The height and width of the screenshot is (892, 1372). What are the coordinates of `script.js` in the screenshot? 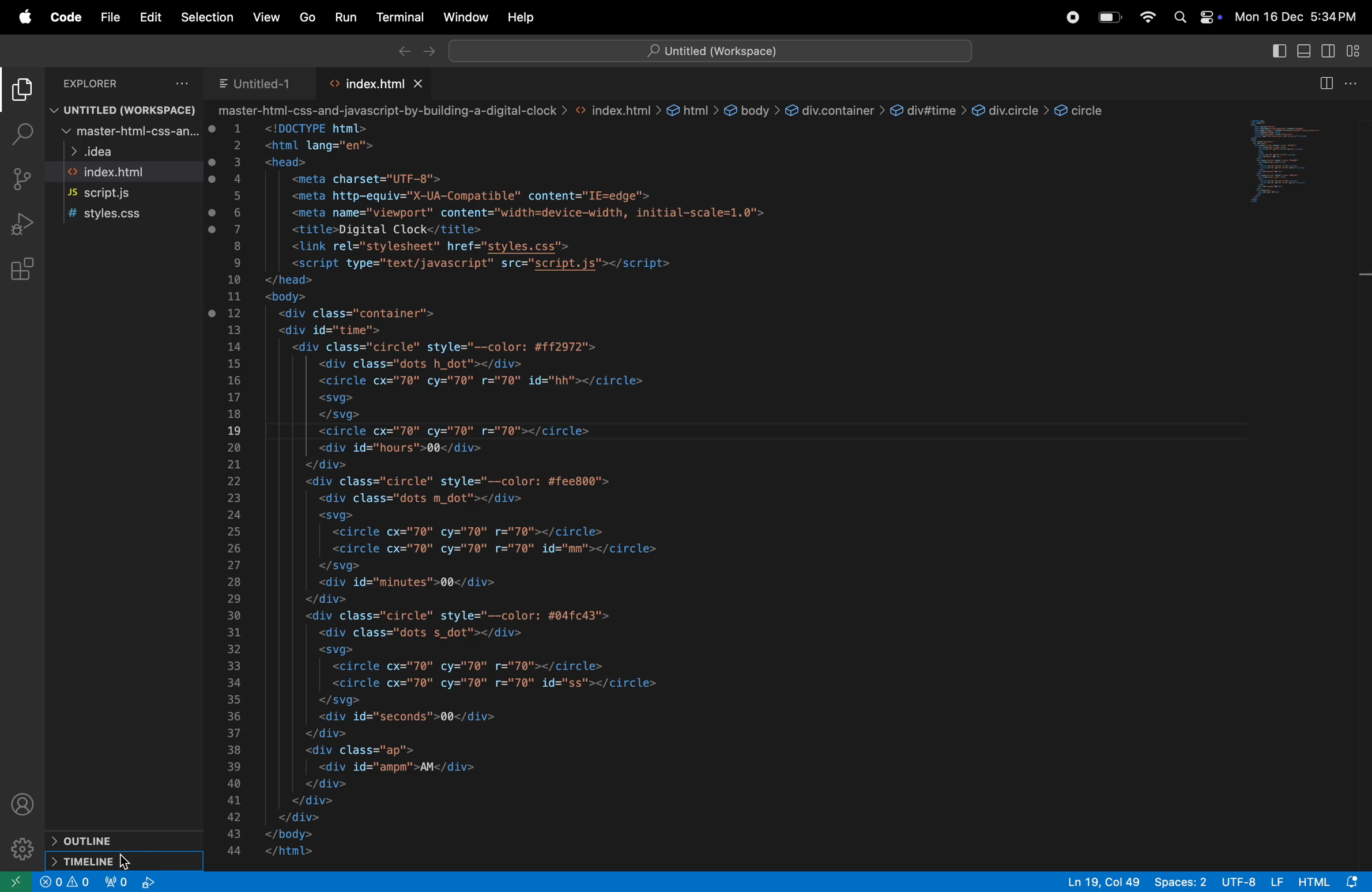 It's located at (107, 194).